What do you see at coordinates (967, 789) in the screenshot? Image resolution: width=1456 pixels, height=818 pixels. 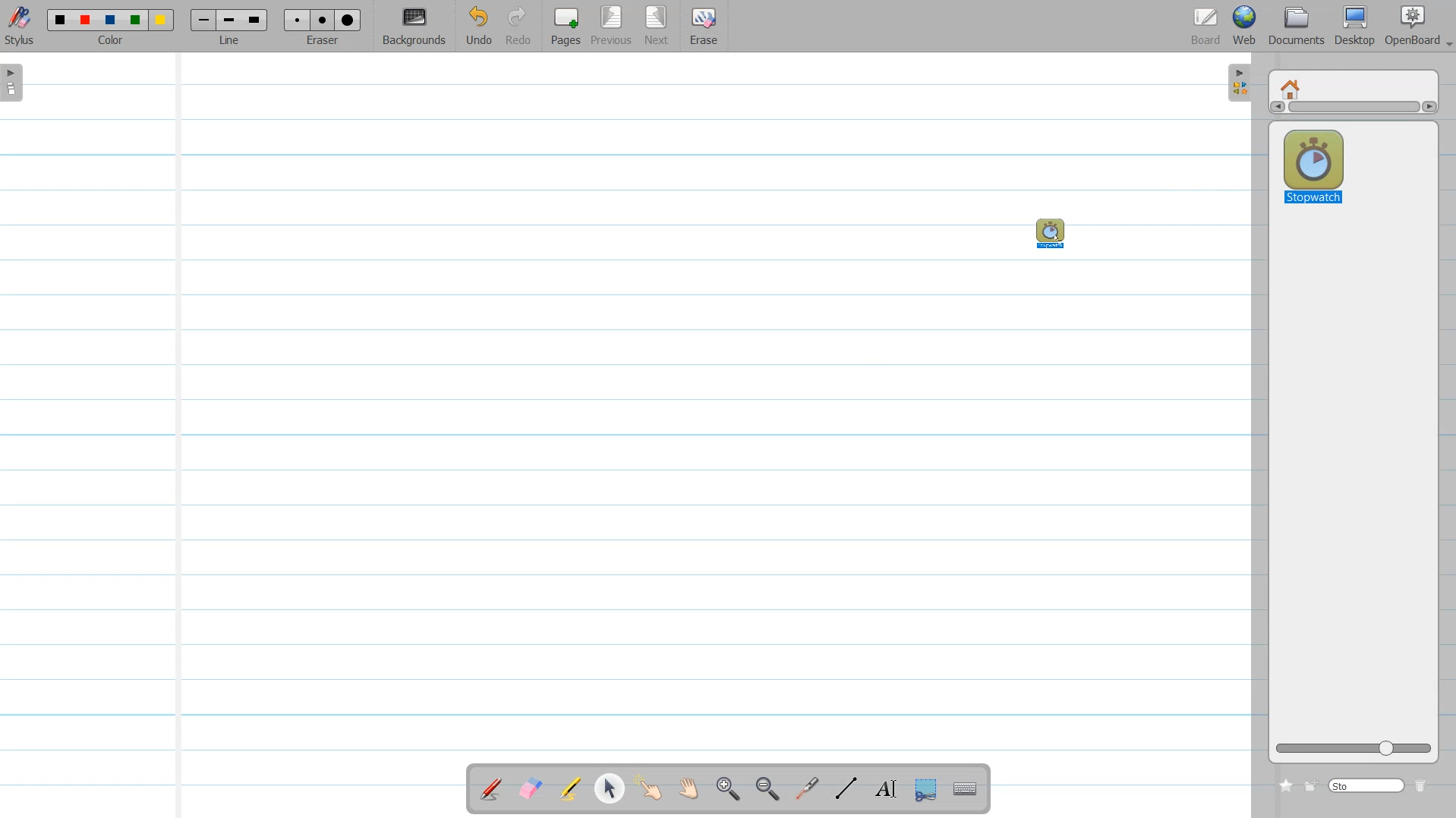 I see `Display Virtual Keyboard ` at bounding box center [967, 789].